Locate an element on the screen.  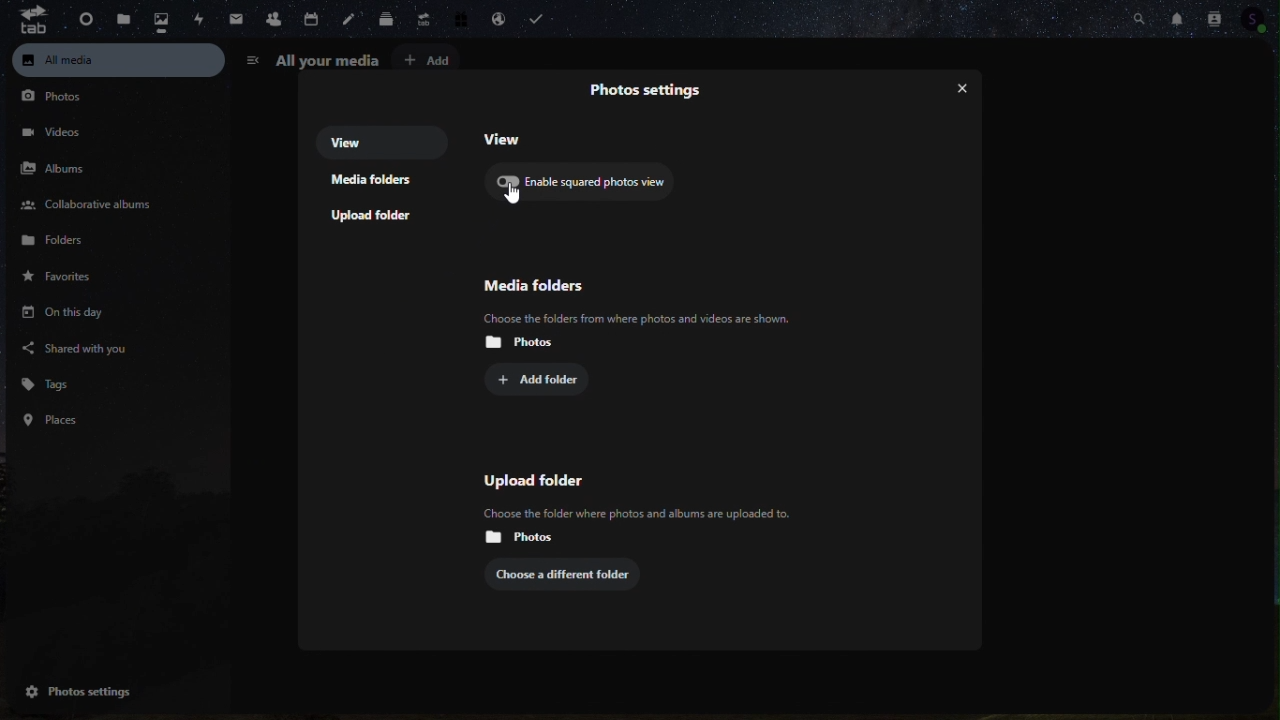
On this day is located at coordinates (59, 314).